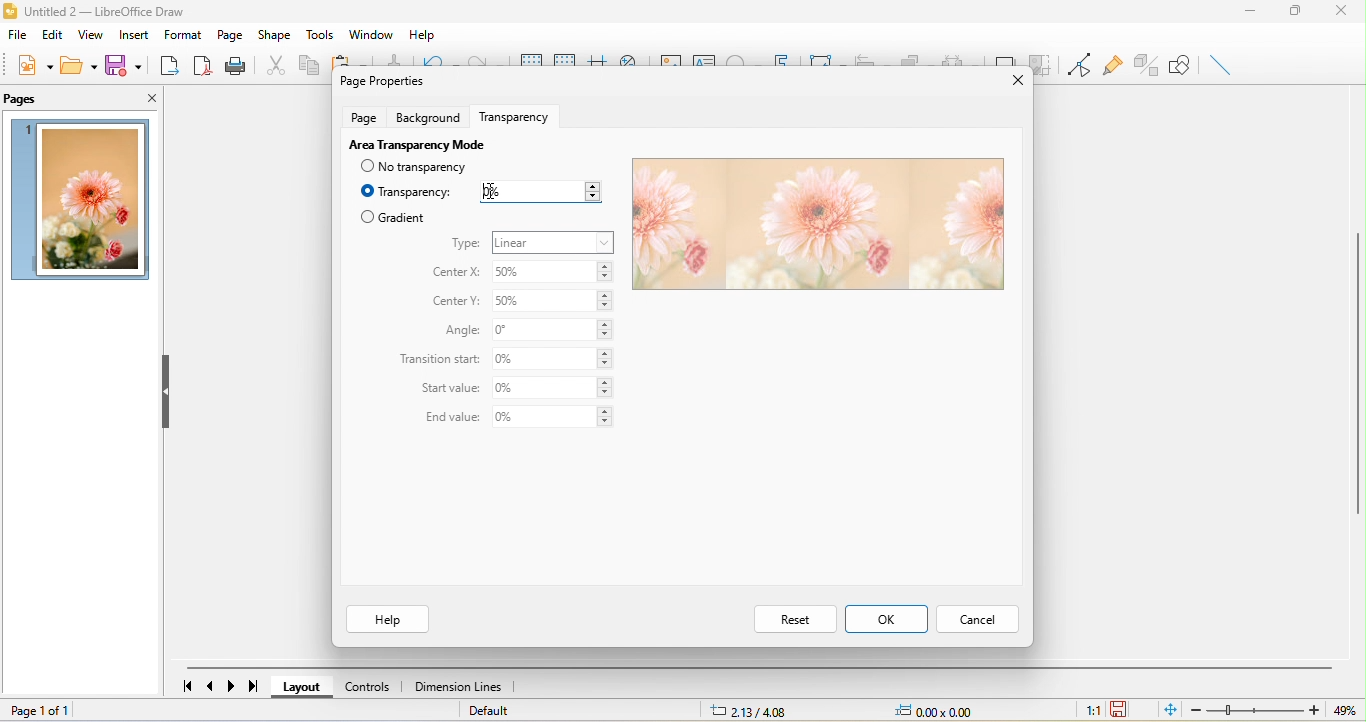 This screenshot has height=722, width=1366. I want to click on area transparency mode, so click(415, 143).